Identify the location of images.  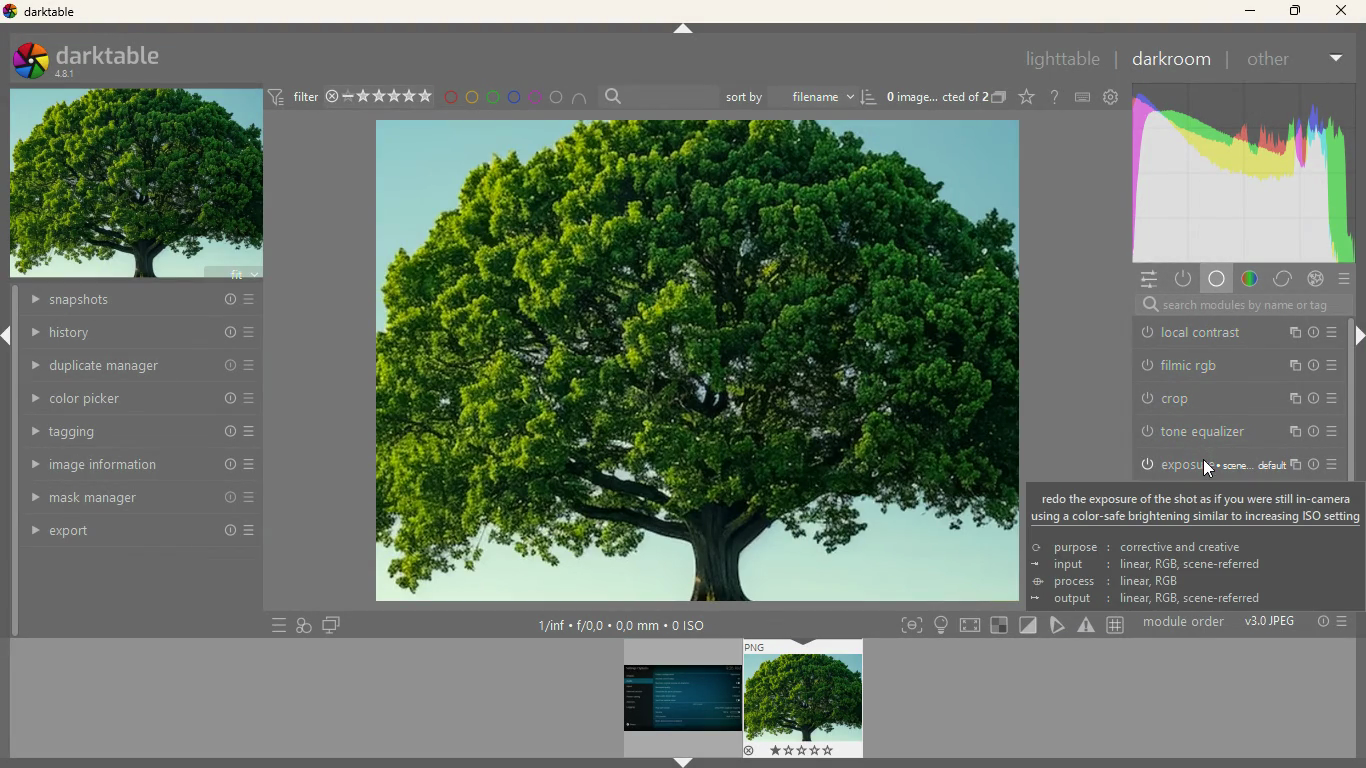
(1000, 97).